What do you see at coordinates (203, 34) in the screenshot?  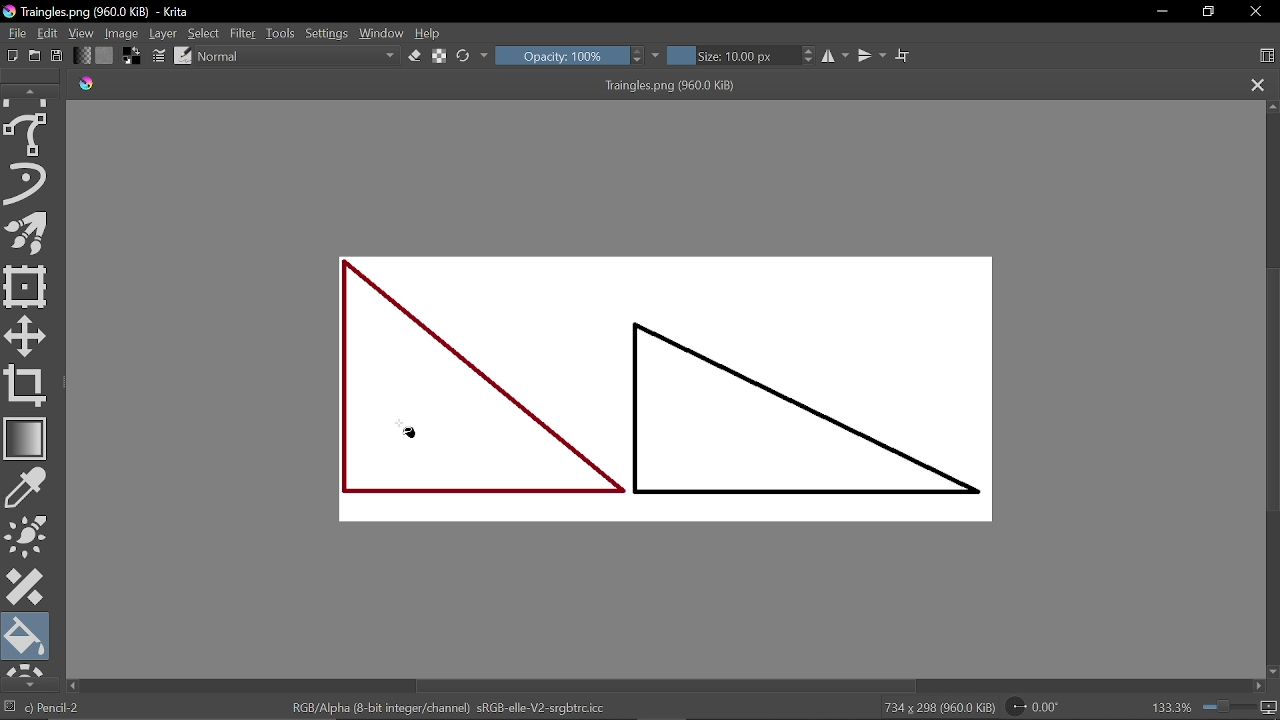 I see `Select` at bounding box center [203, 34].